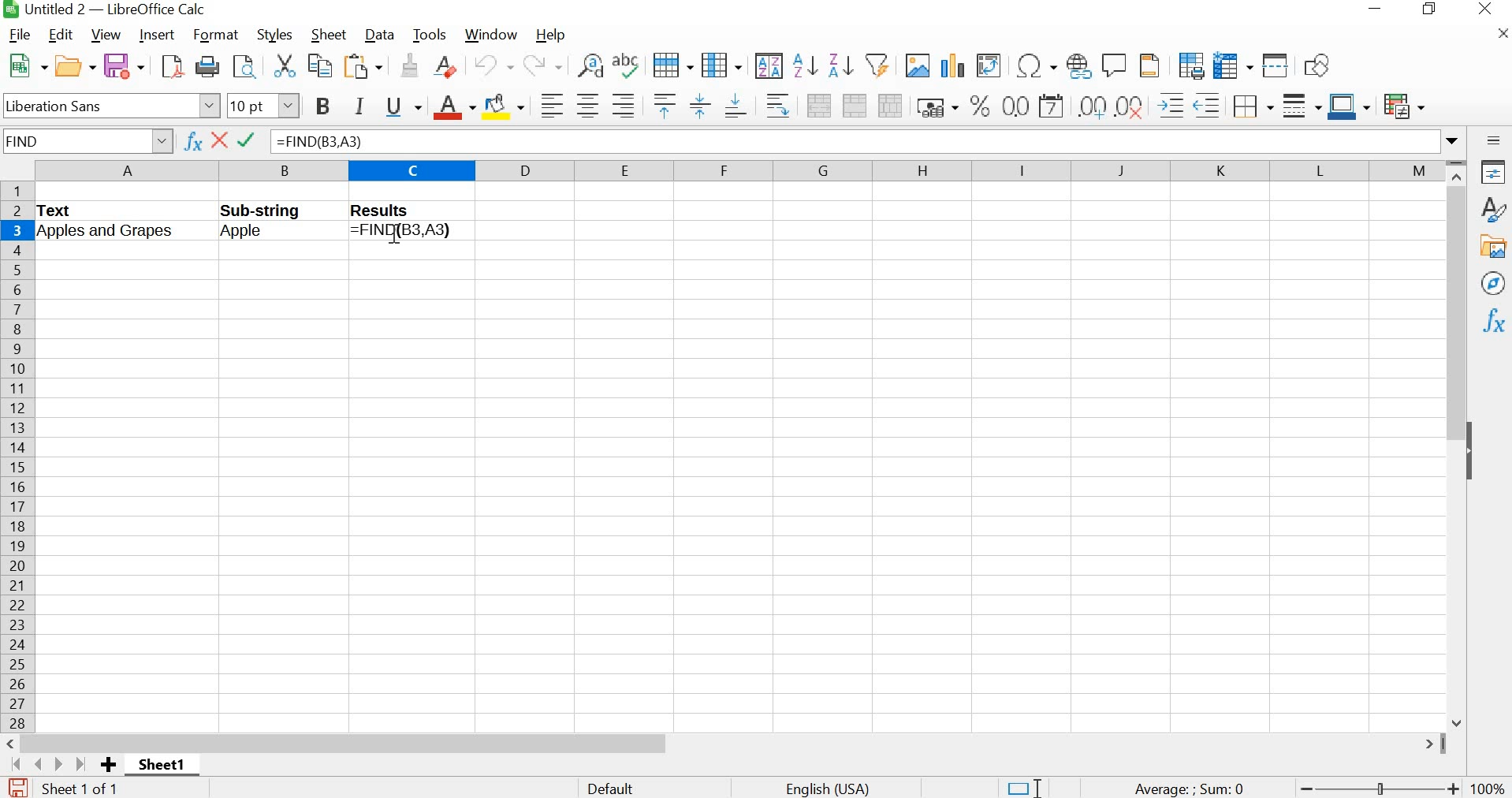 The height and width of the screenshot is (798, 1512). What do you see at coordinates (735, 104) in the screenshot?
I see `align bottom` at bounding box center [735, 104].